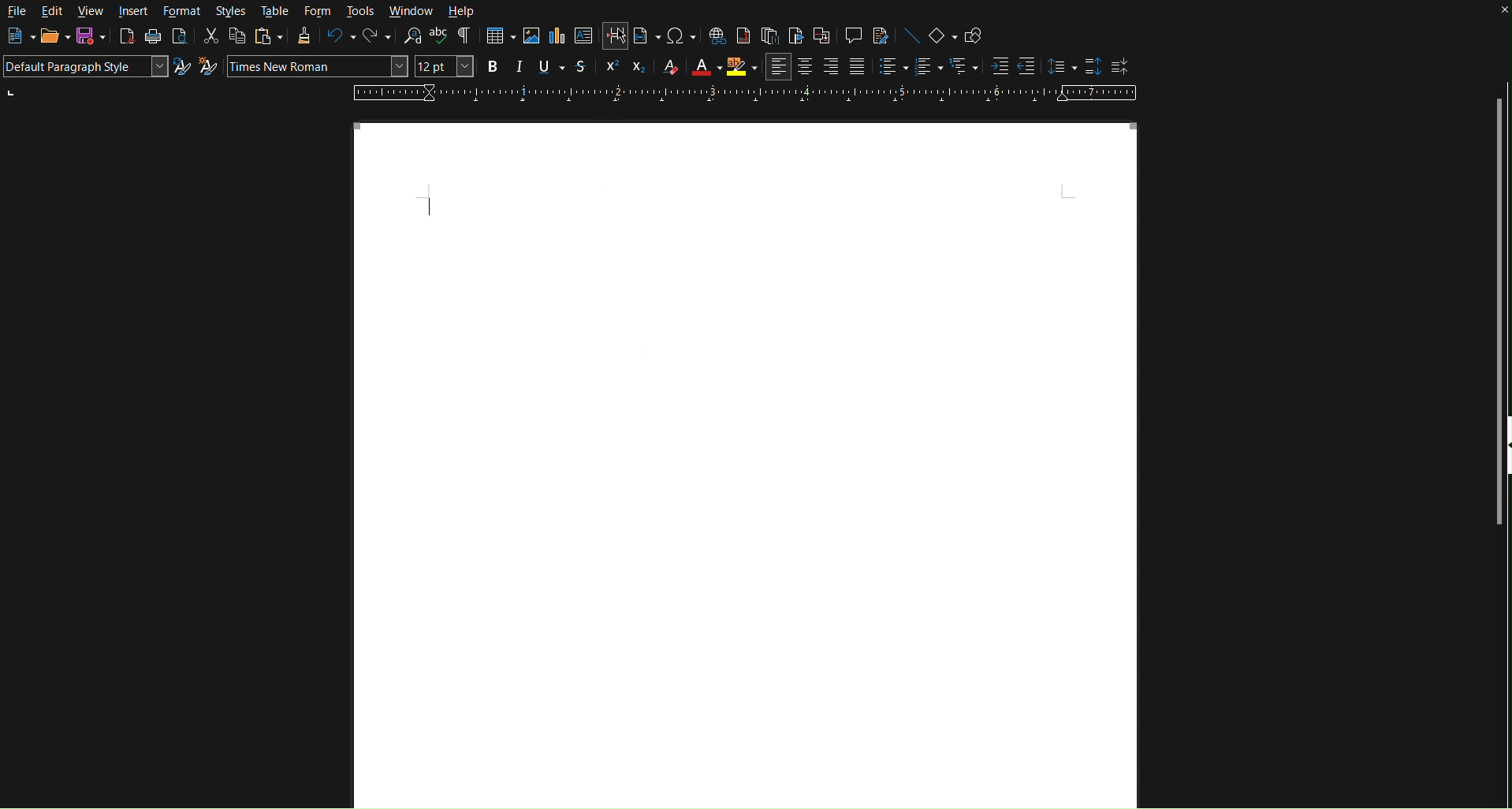 This screenshot has height=809, width=1512. I want to click on Insert, so click(134, 11).